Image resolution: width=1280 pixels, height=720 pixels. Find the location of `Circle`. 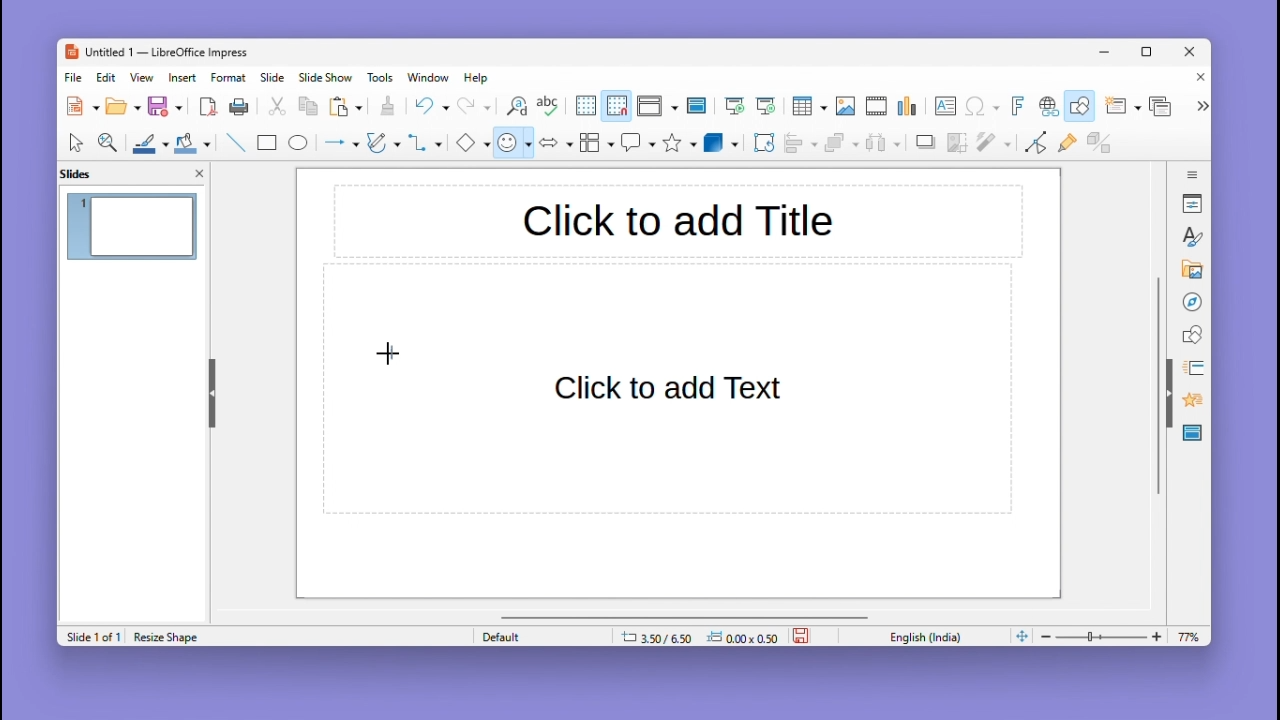

Circle is located at coordinates (300, 145).